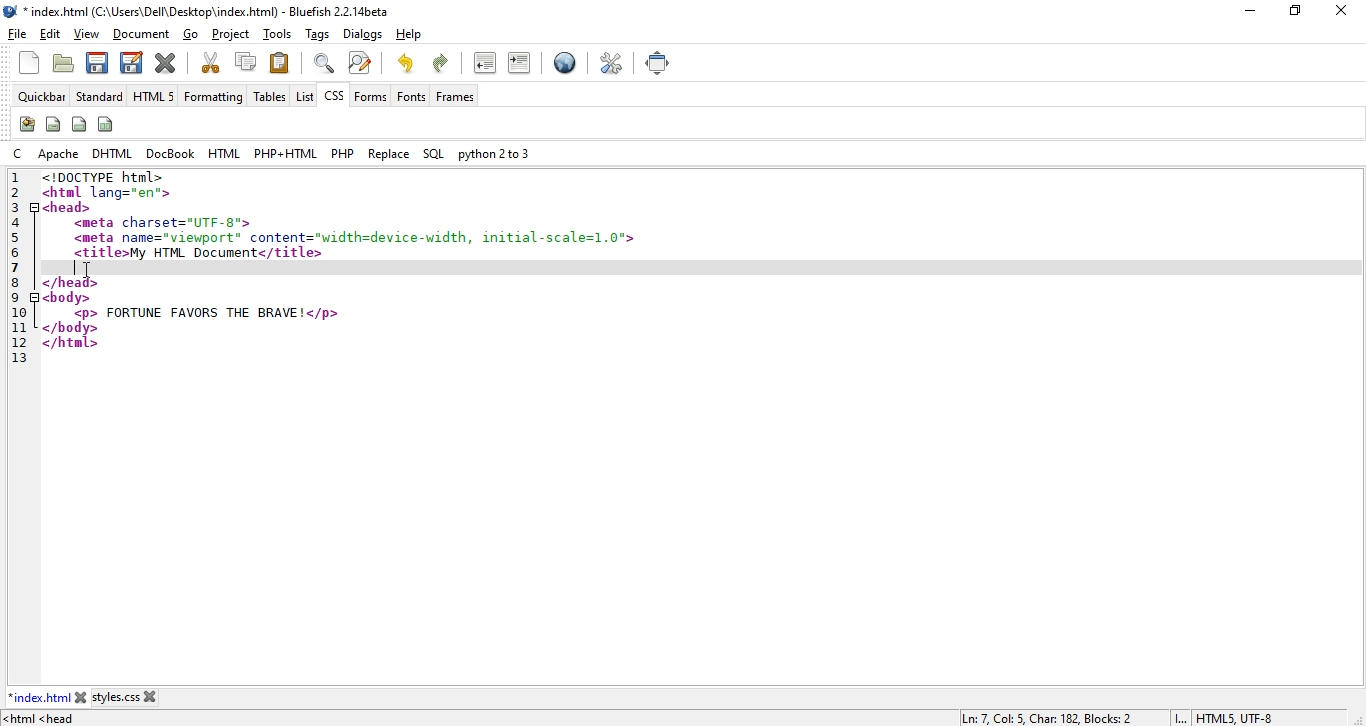  What do you see at coordinates (16, 281) in the screenshot?
I see `8` at bounding box center [16, 281].